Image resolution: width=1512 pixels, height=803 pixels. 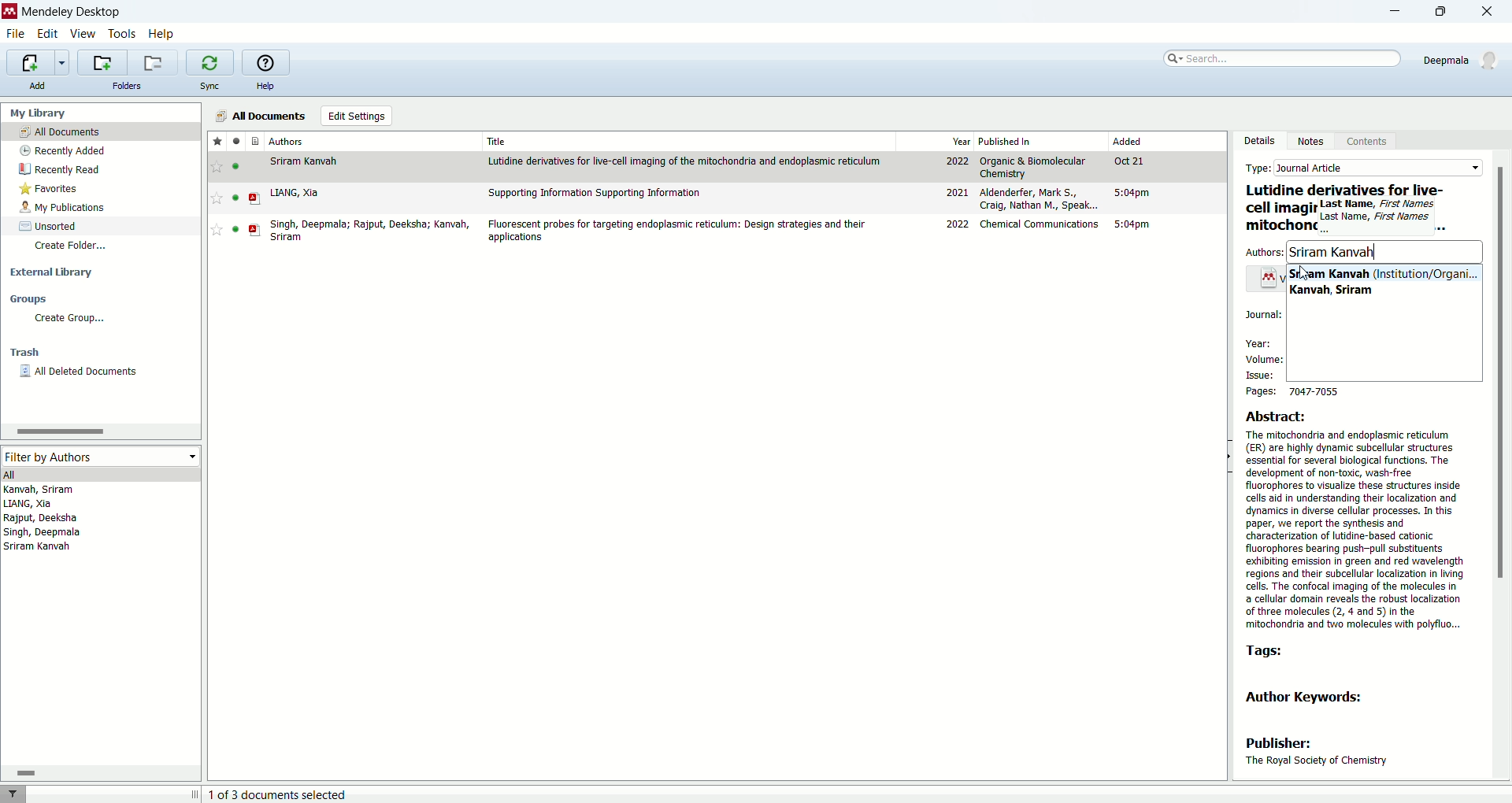 What do you see at coordinates (1289, 393) in the screenshot?
I see `pages: 7047-7055` at bounding box center [1289, 393].